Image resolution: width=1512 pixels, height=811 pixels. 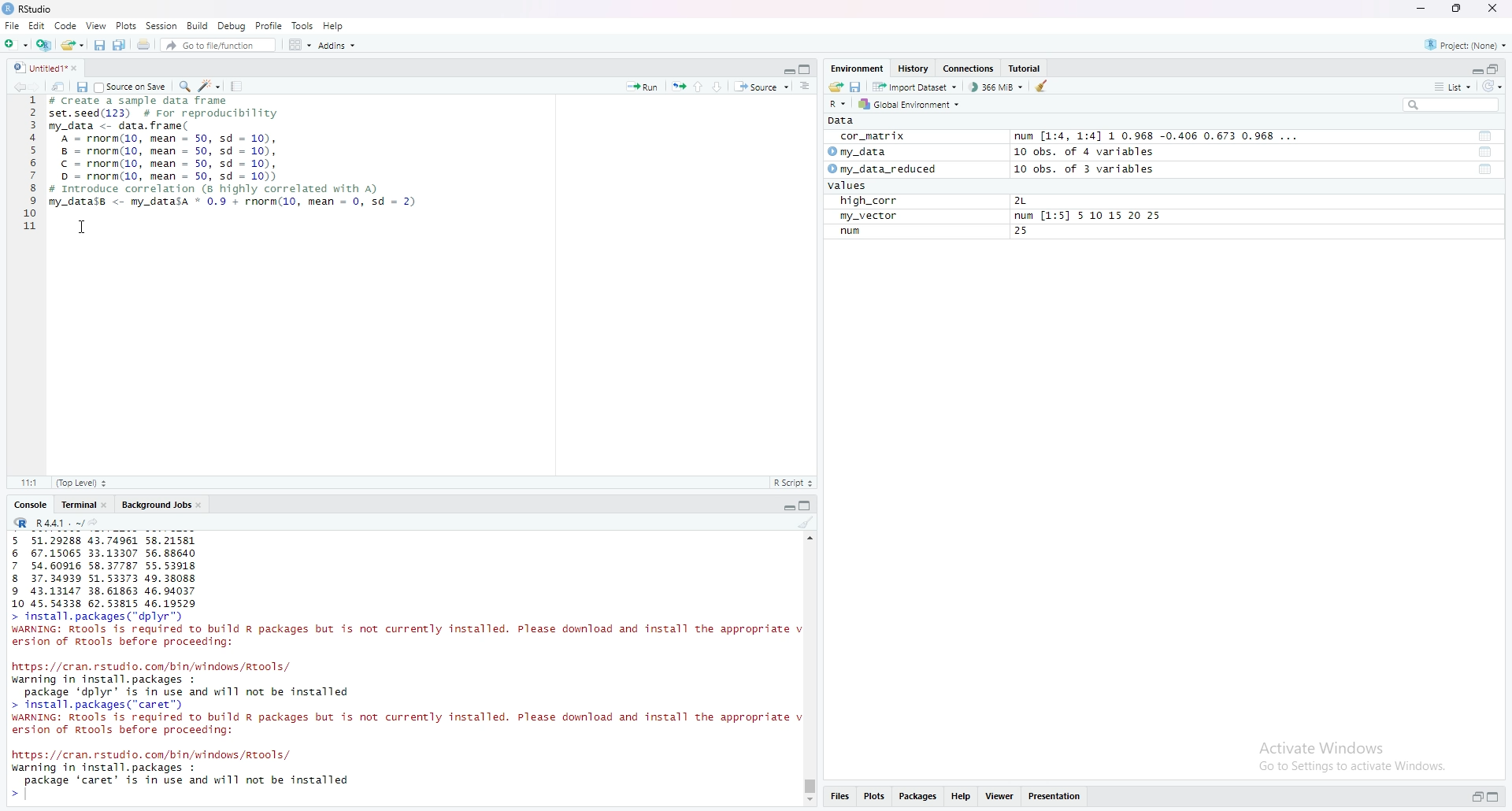 I want to click on Presentations, so click(x=1056, y=796).